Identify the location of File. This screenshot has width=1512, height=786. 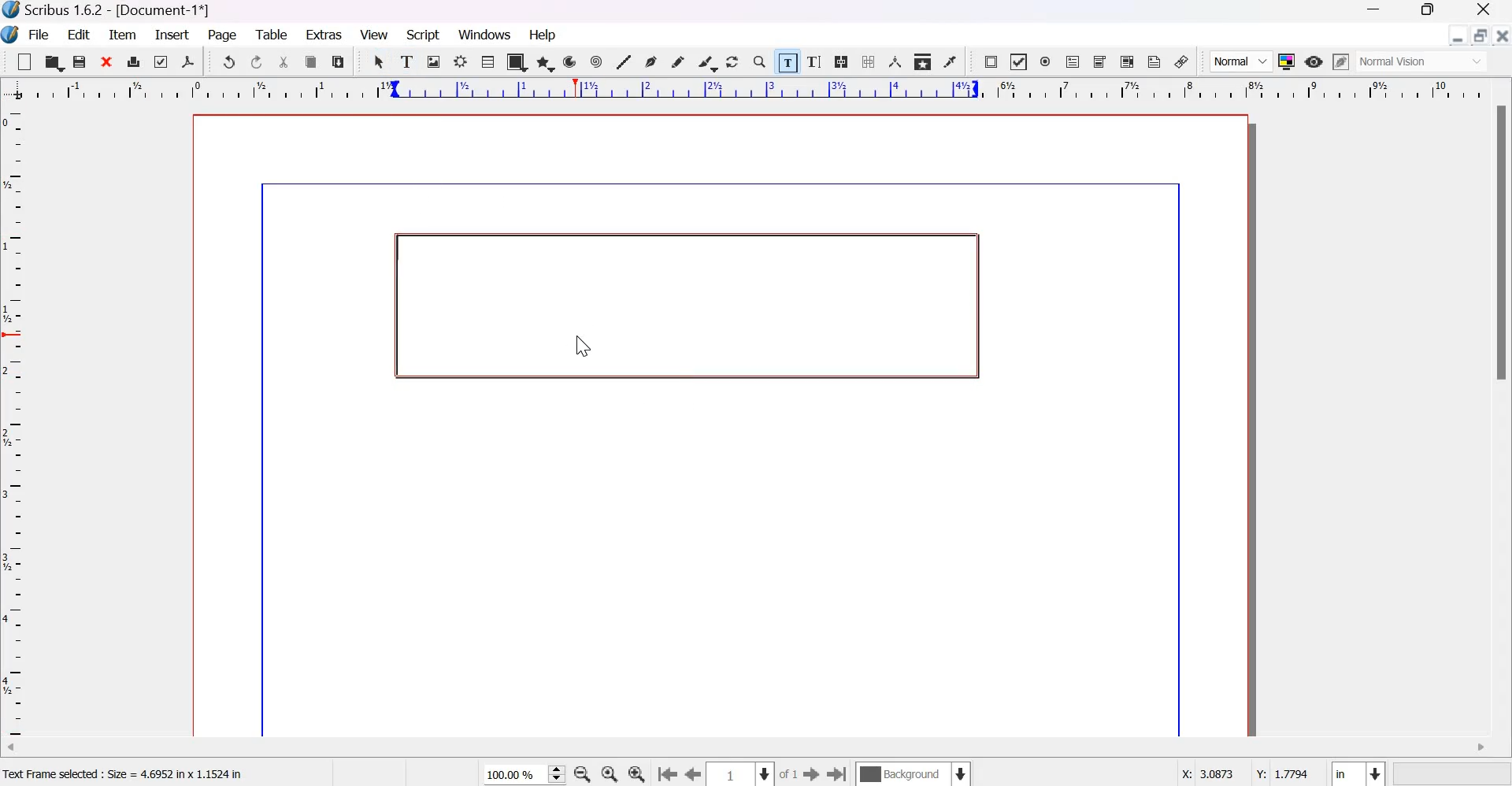
(37, 35).